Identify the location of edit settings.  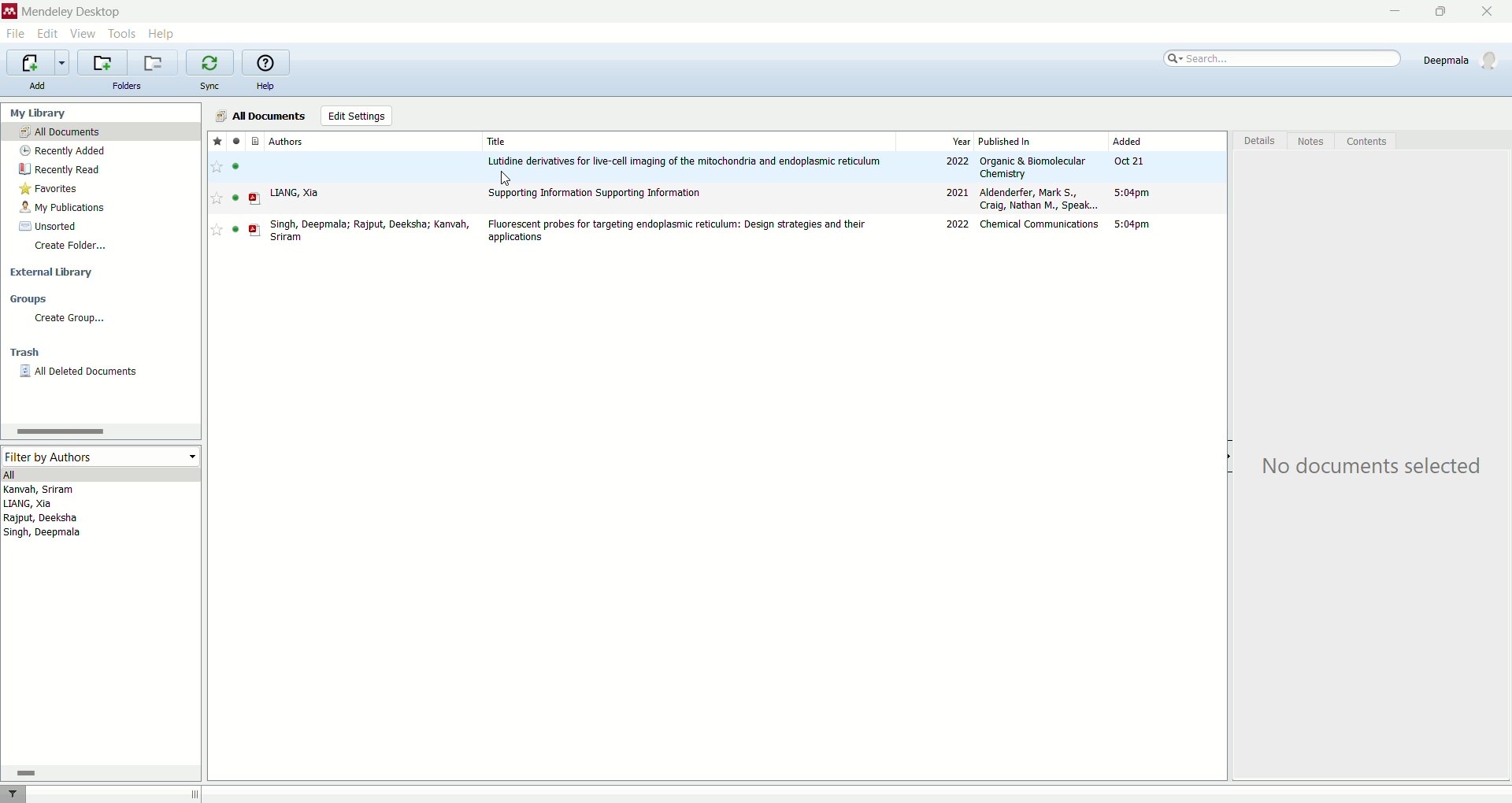
(357, 117).